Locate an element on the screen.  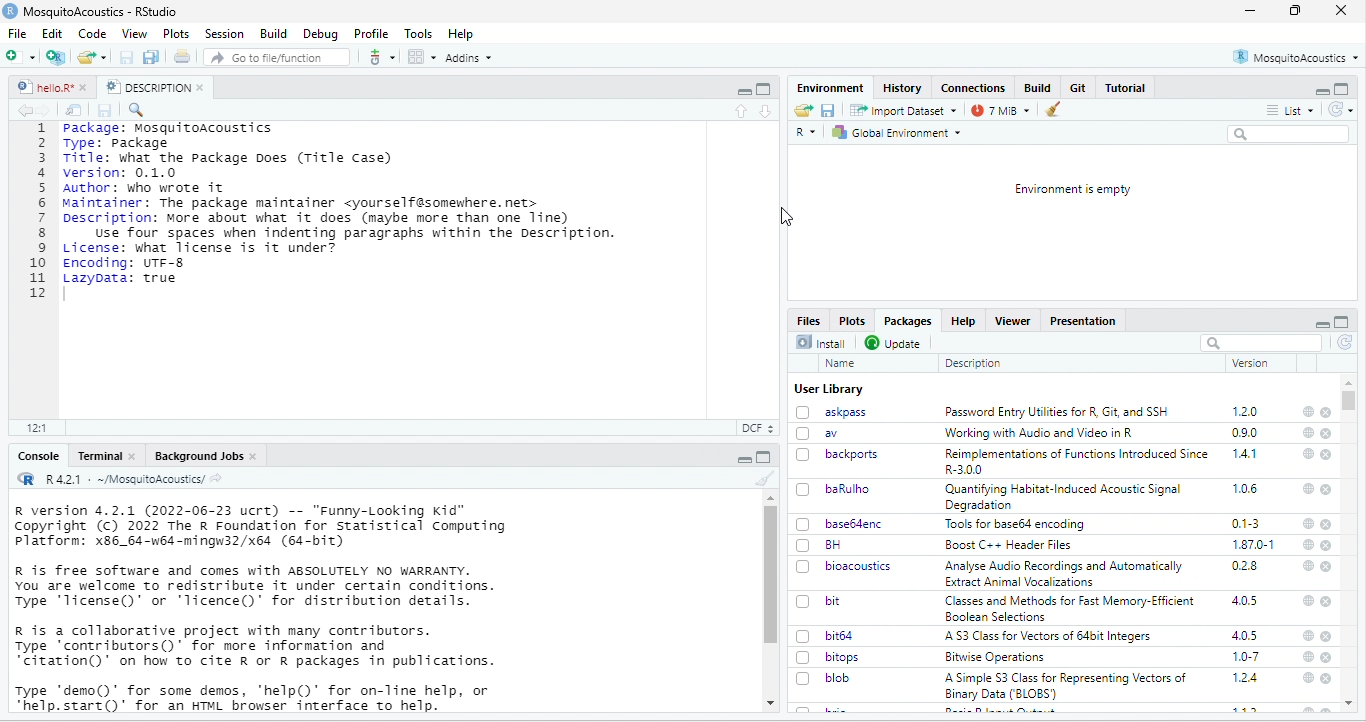
Save is located at coordinates (828, 110).